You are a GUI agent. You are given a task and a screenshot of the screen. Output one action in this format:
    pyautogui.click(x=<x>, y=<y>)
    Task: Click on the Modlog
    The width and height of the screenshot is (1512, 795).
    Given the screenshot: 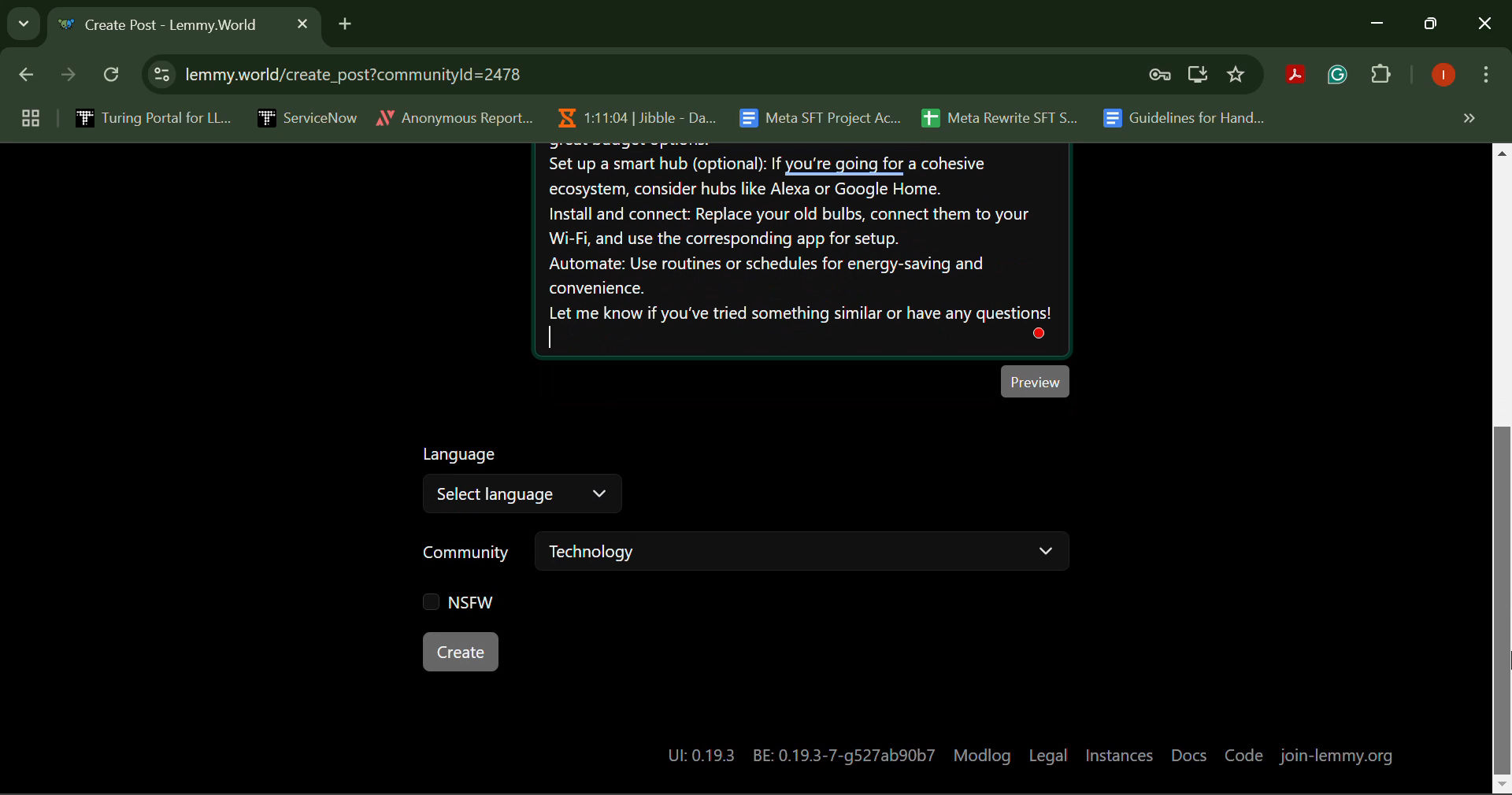 What is the action you would take?
    pyautogui.click(x=982, y=753)
    